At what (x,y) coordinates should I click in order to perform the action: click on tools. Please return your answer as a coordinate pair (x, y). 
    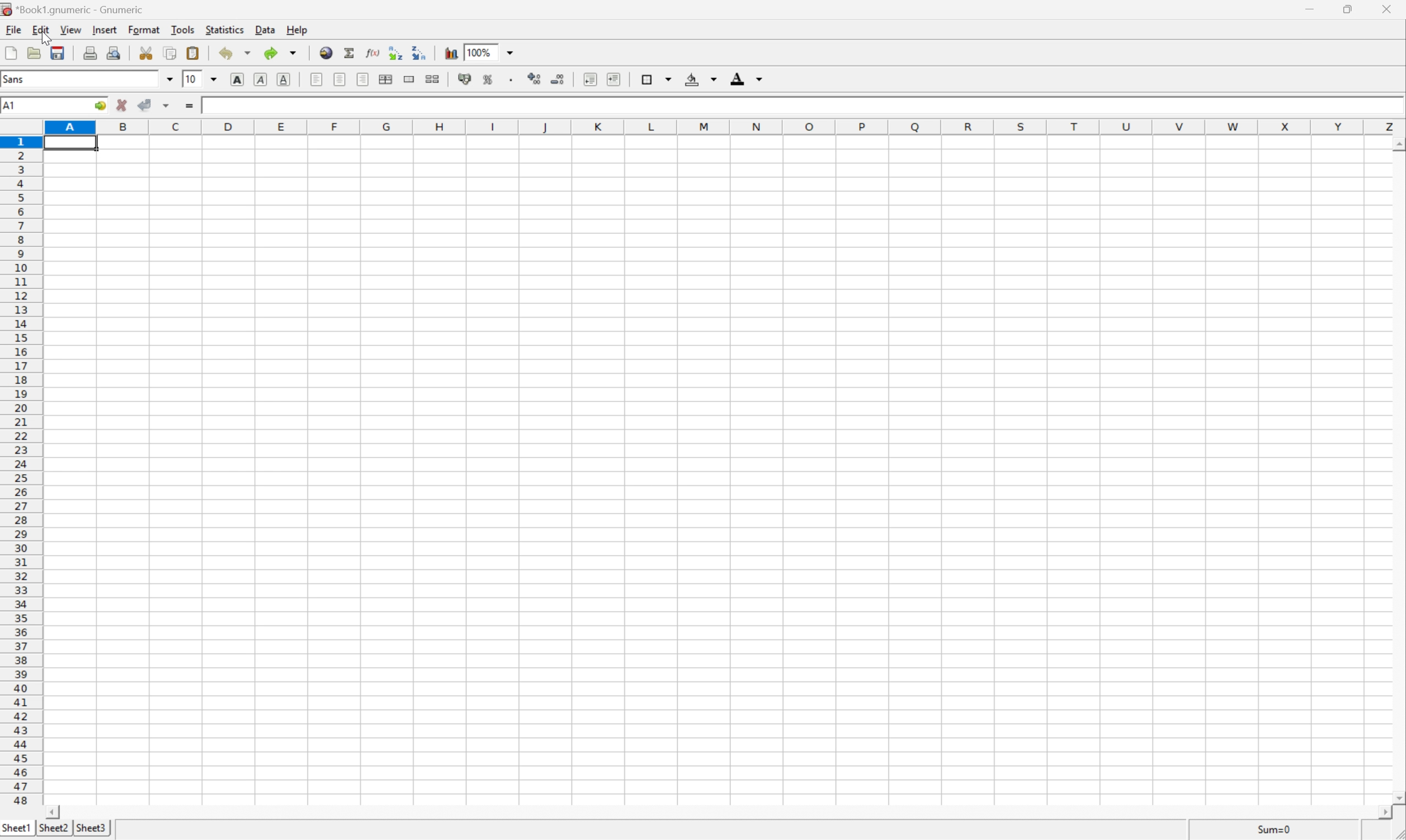
    Looking at the image, I should click on (181, 31).